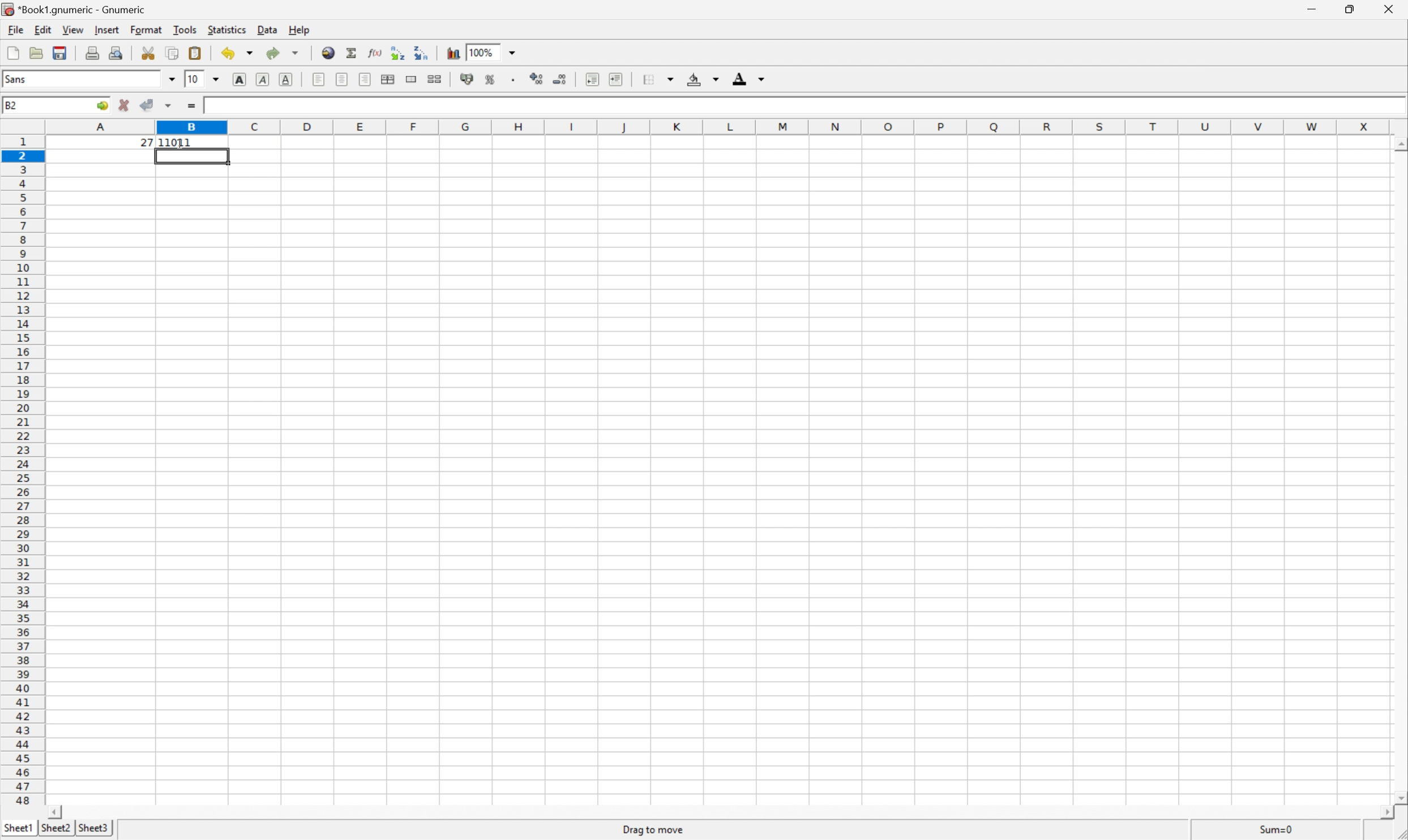 Image resolution: width=1408 pixels, height=840 pixels. Describe the element at coordinates (151, 52) in the screenshot. I see `Cut selection` at that location.